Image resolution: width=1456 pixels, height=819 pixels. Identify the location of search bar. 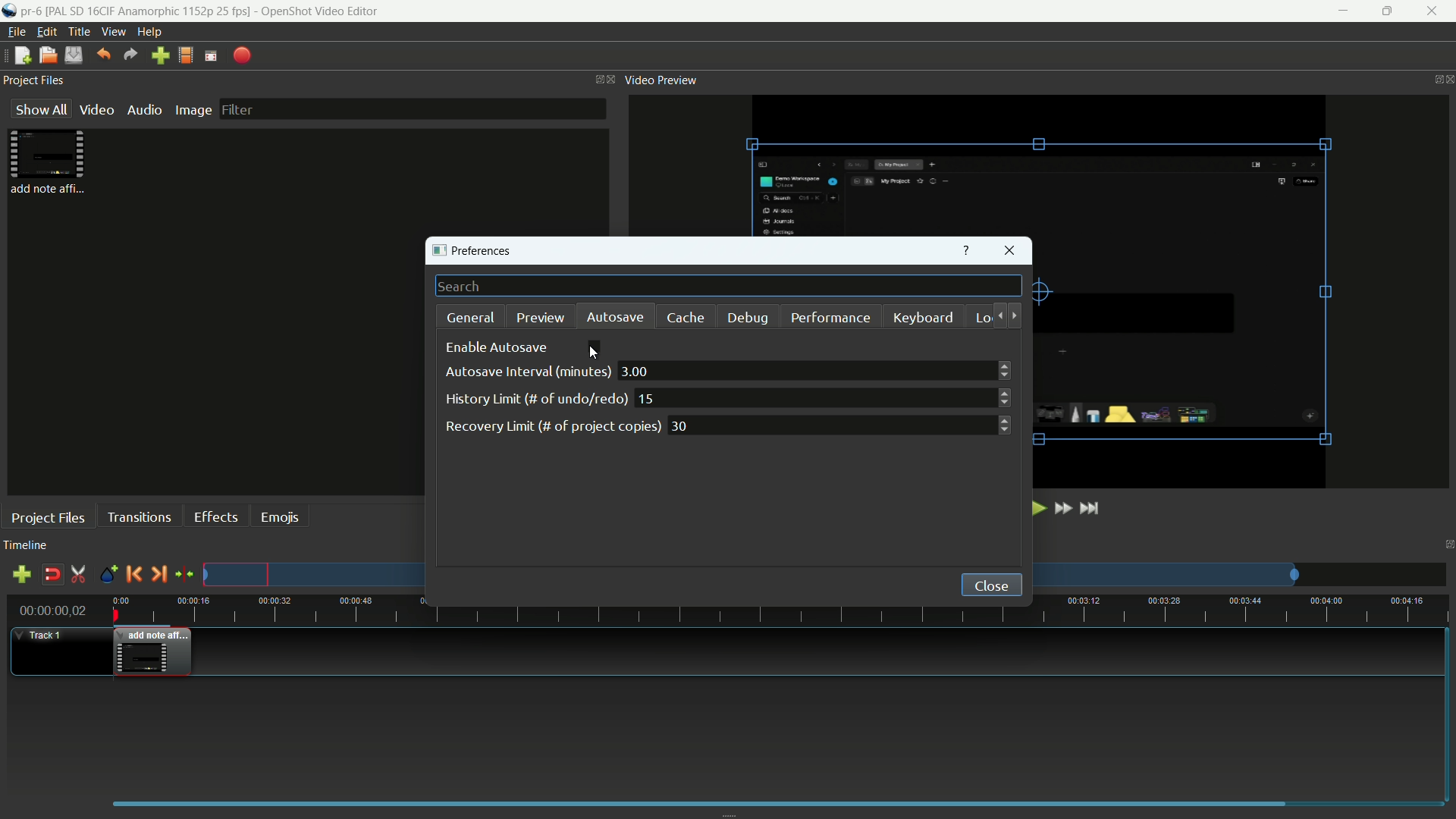
(729, 285).